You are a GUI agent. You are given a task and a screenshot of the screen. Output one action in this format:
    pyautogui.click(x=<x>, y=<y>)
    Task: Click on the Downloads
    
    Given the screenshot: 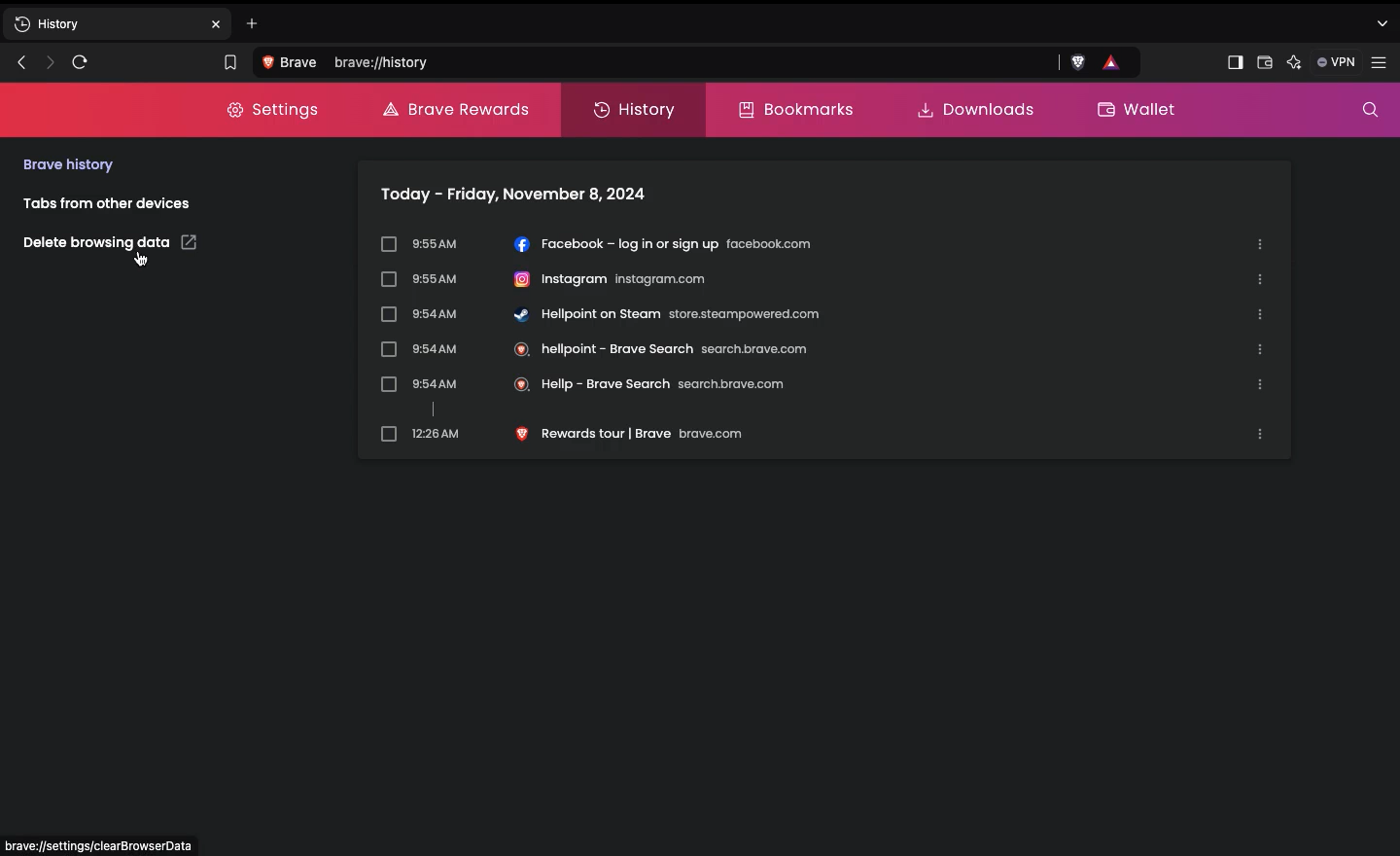 What is the action you would take?
    pyautogui.click(x=970, y=109)
    